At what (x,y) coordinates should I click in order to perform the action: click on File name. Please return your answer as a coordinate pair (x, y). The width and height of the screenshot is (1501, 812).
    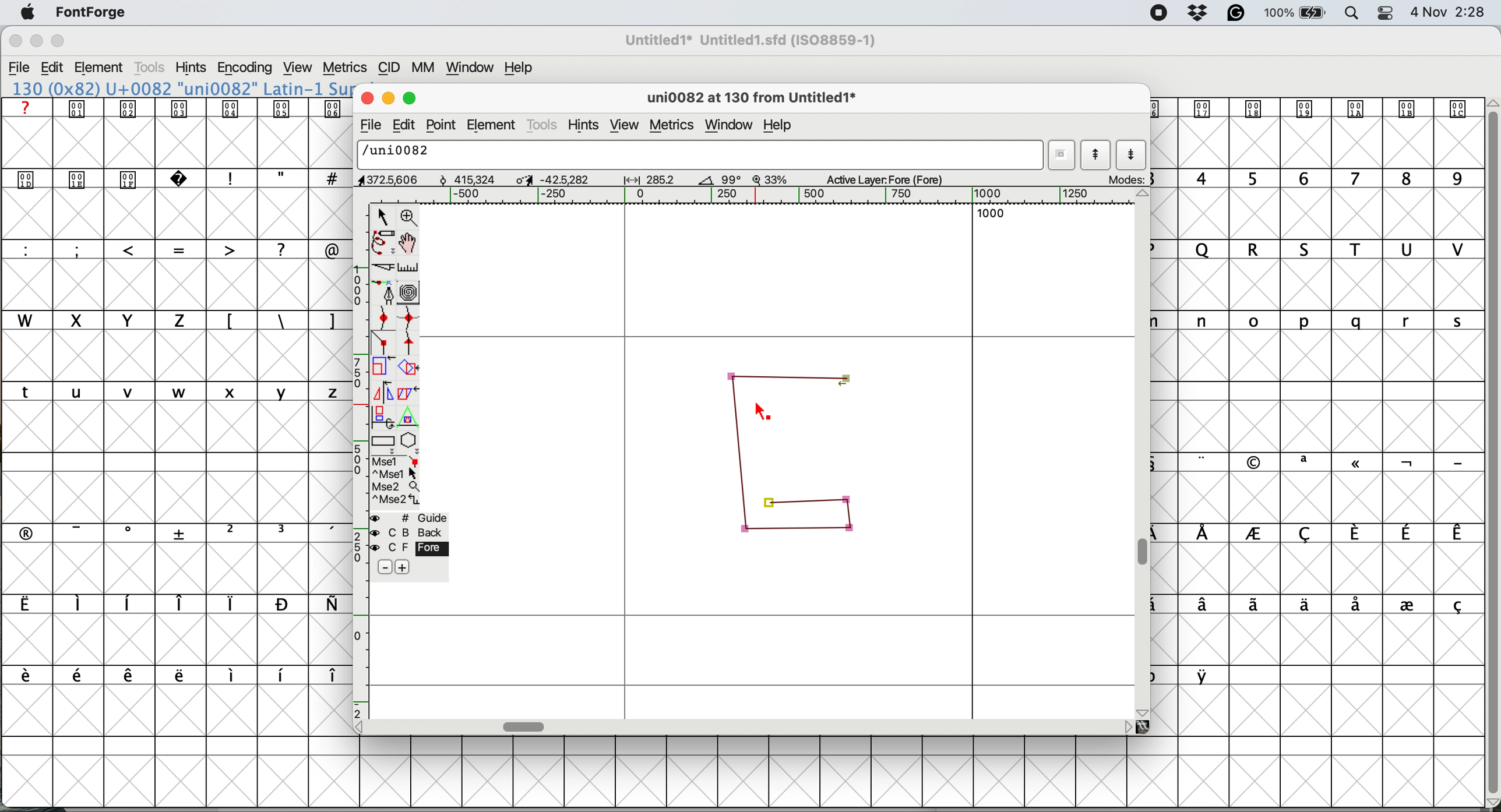
    Looking at the image, I should click on (747, 40).